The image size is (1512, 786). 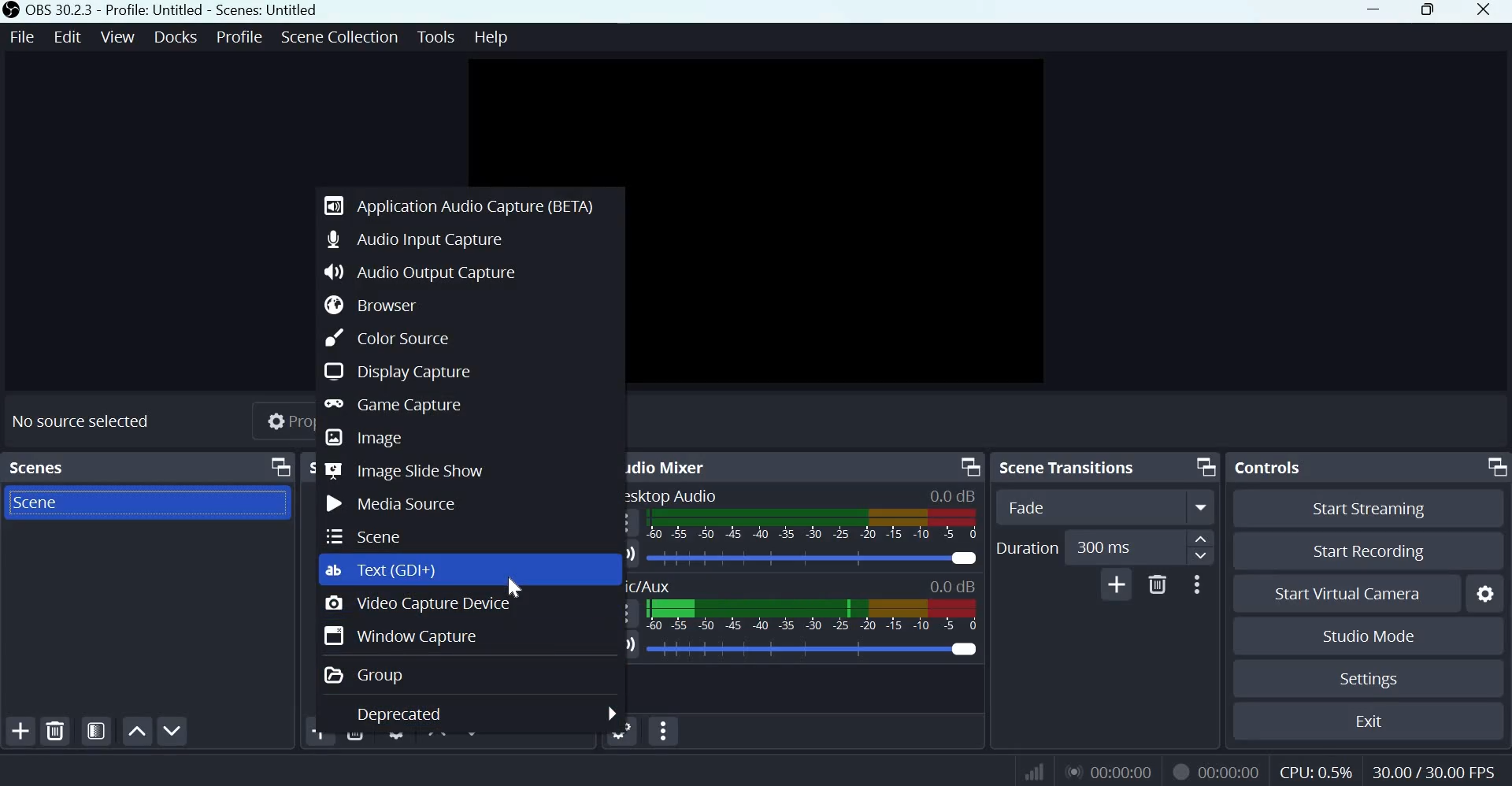 What do you see at coordinates (493, 38) in the screenshot?
I see `Help` at bounding box center [493, 38].